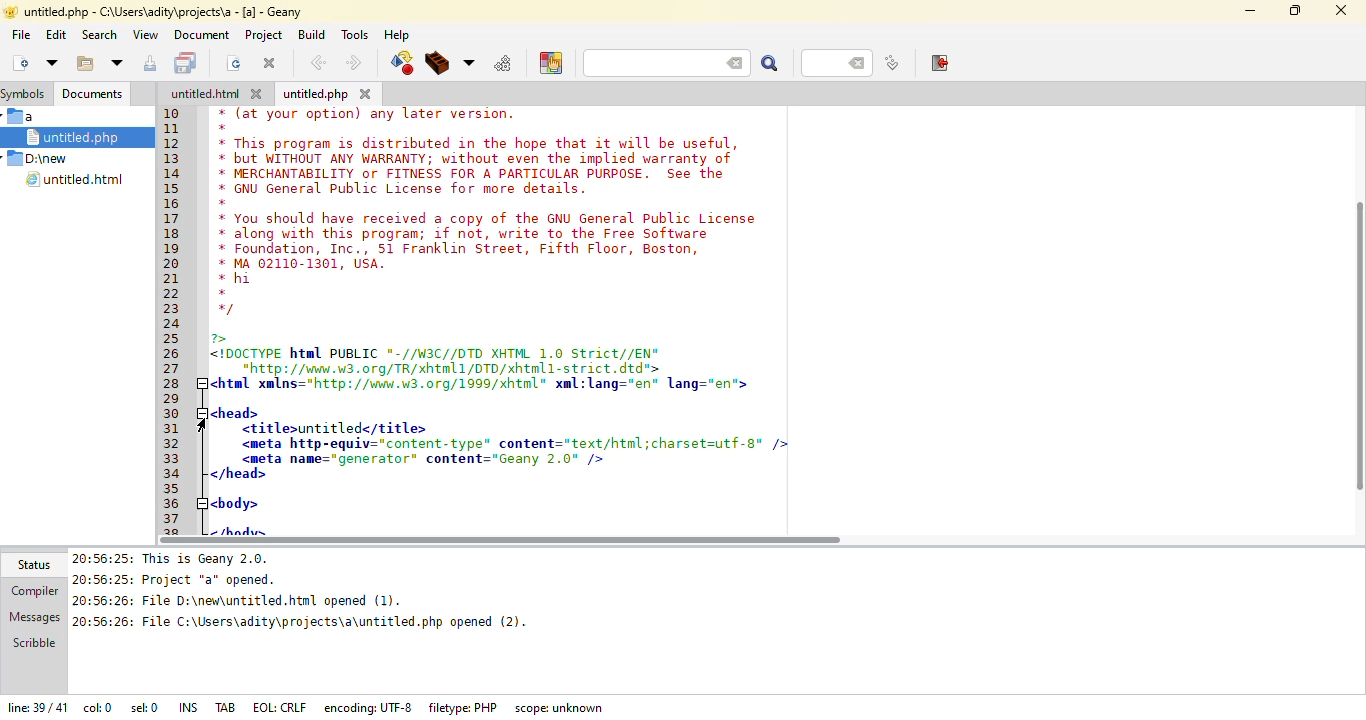 Image resolution: width=1366 pixels, height=720 pixels. I want to click on choose color, so click(550, 64).